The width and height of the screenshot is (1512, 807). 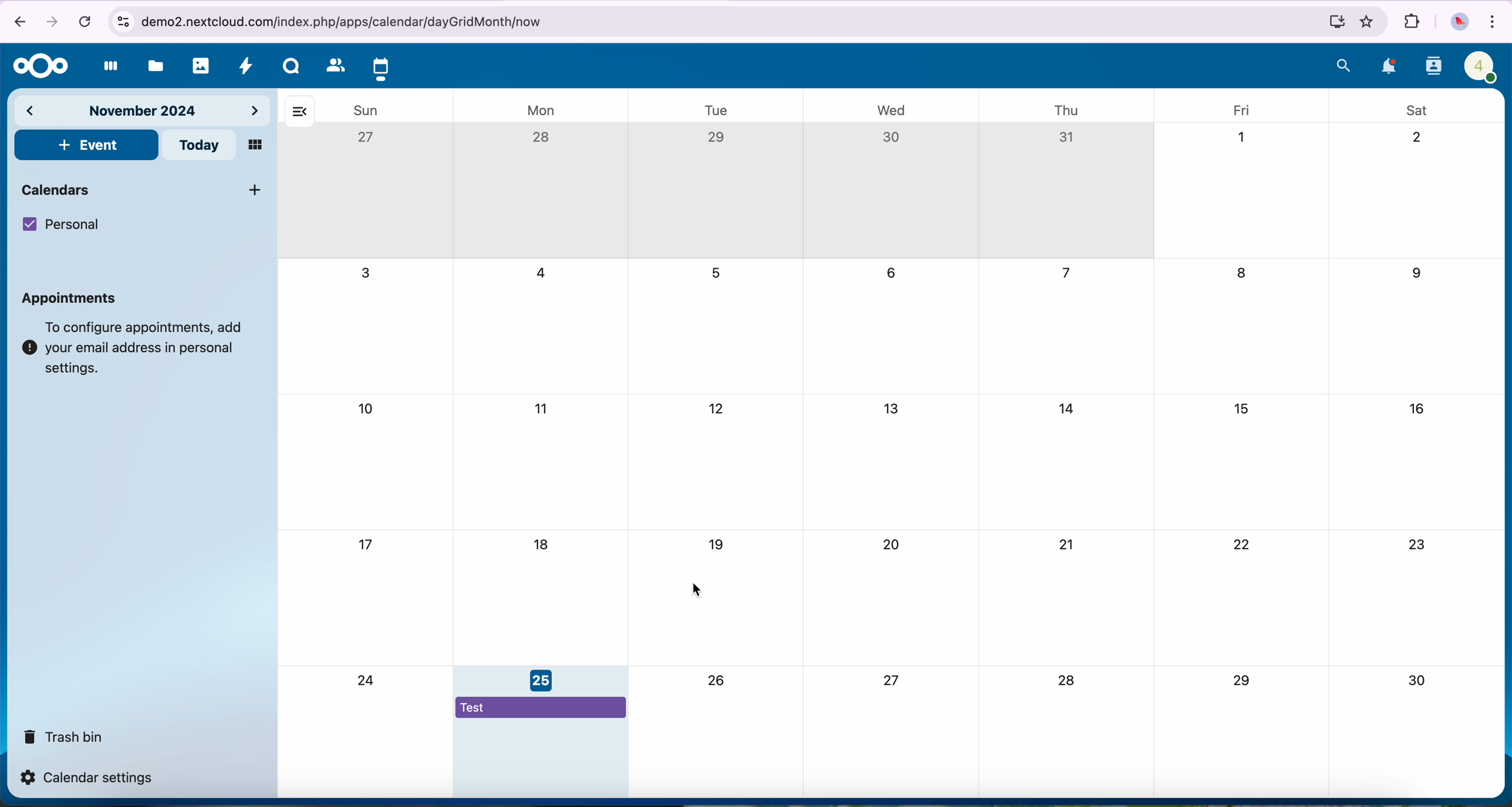 What do you see at coordinates (1415, 274) in the screenshot?
I see `9` at bounding box center [1415, 274].